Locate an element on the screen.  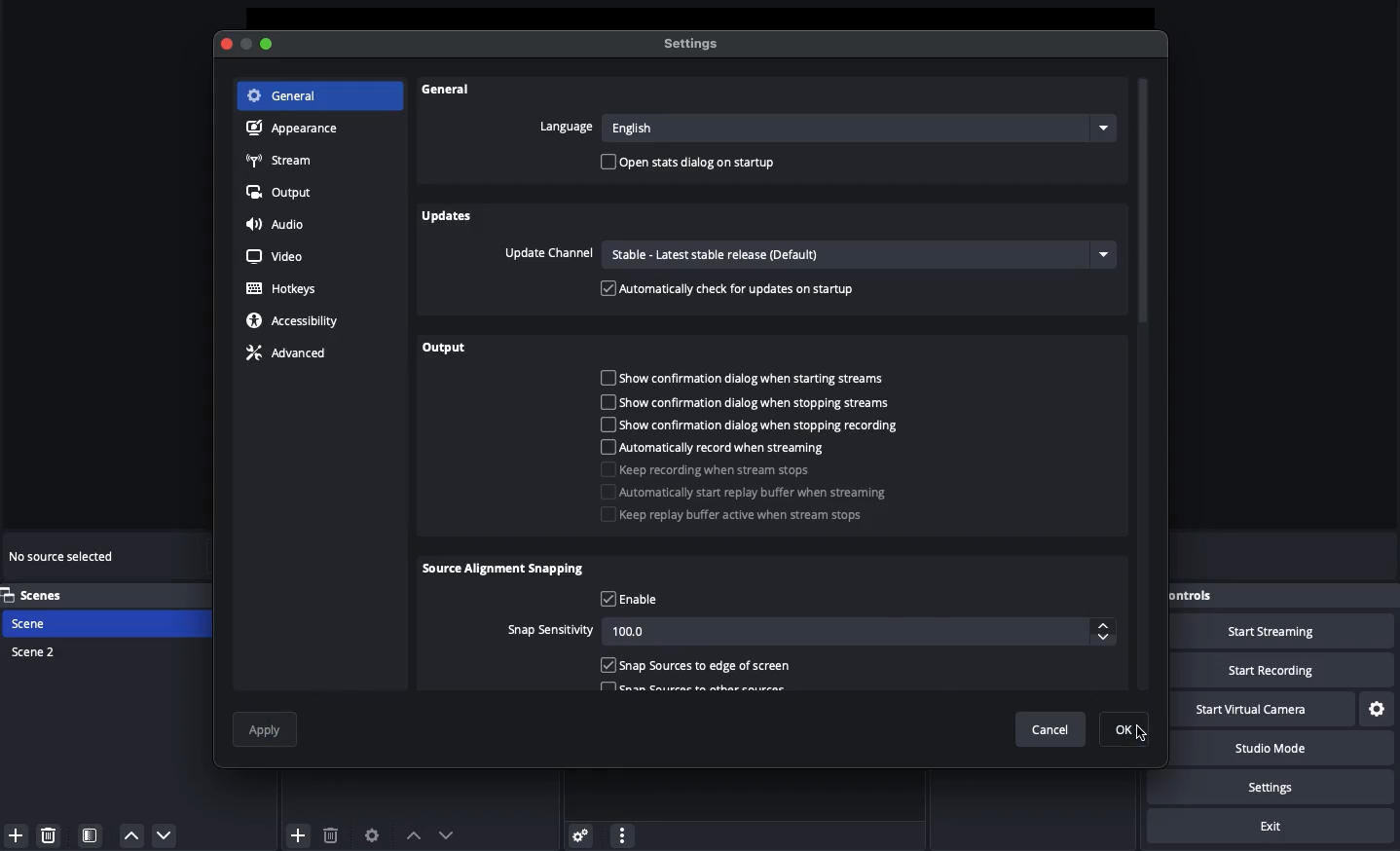
Move down is located at coordinates (164, 834).